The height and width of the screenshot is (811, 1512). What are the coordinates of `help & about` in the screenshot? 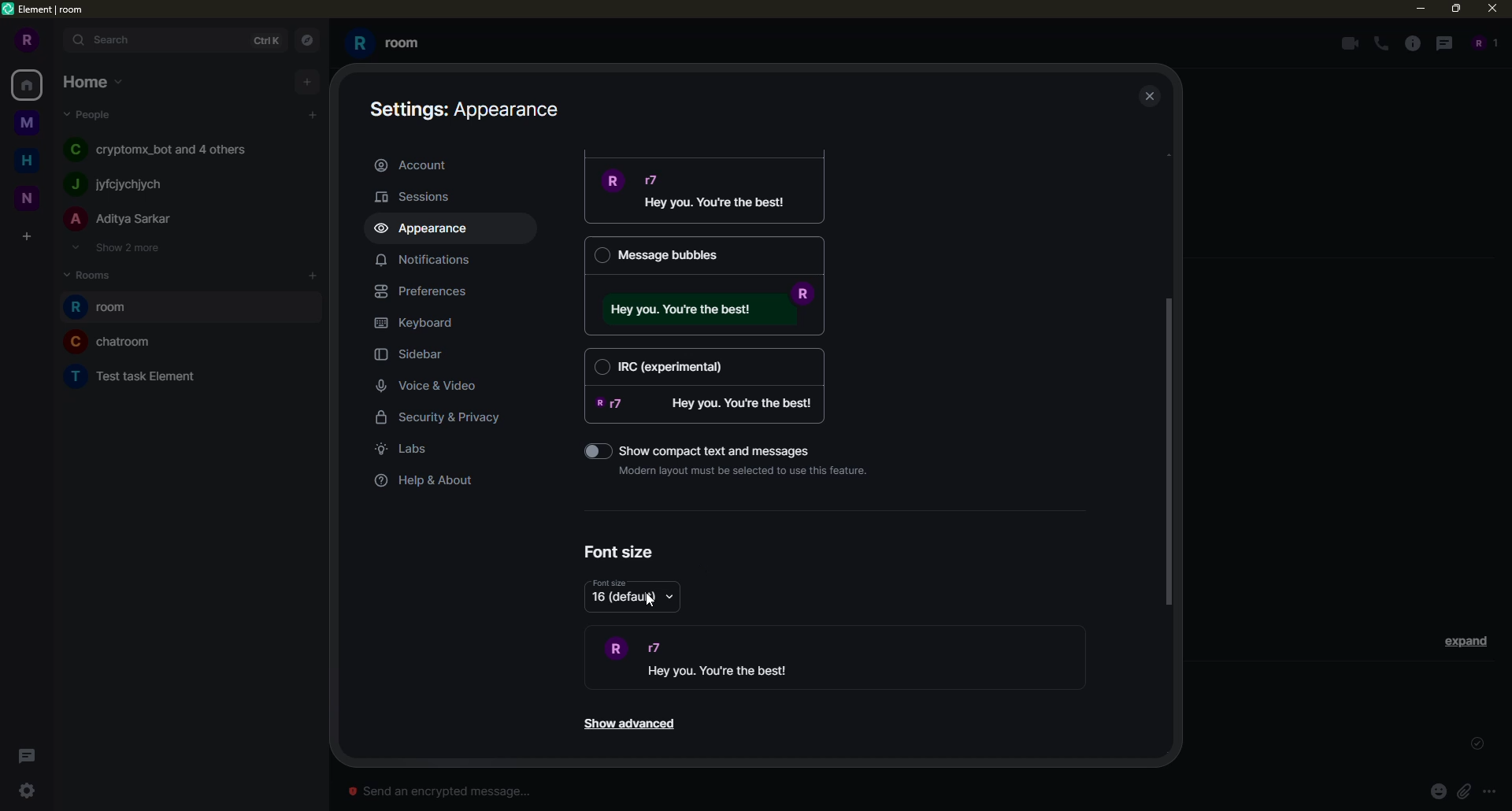 It's located at (426, 481).